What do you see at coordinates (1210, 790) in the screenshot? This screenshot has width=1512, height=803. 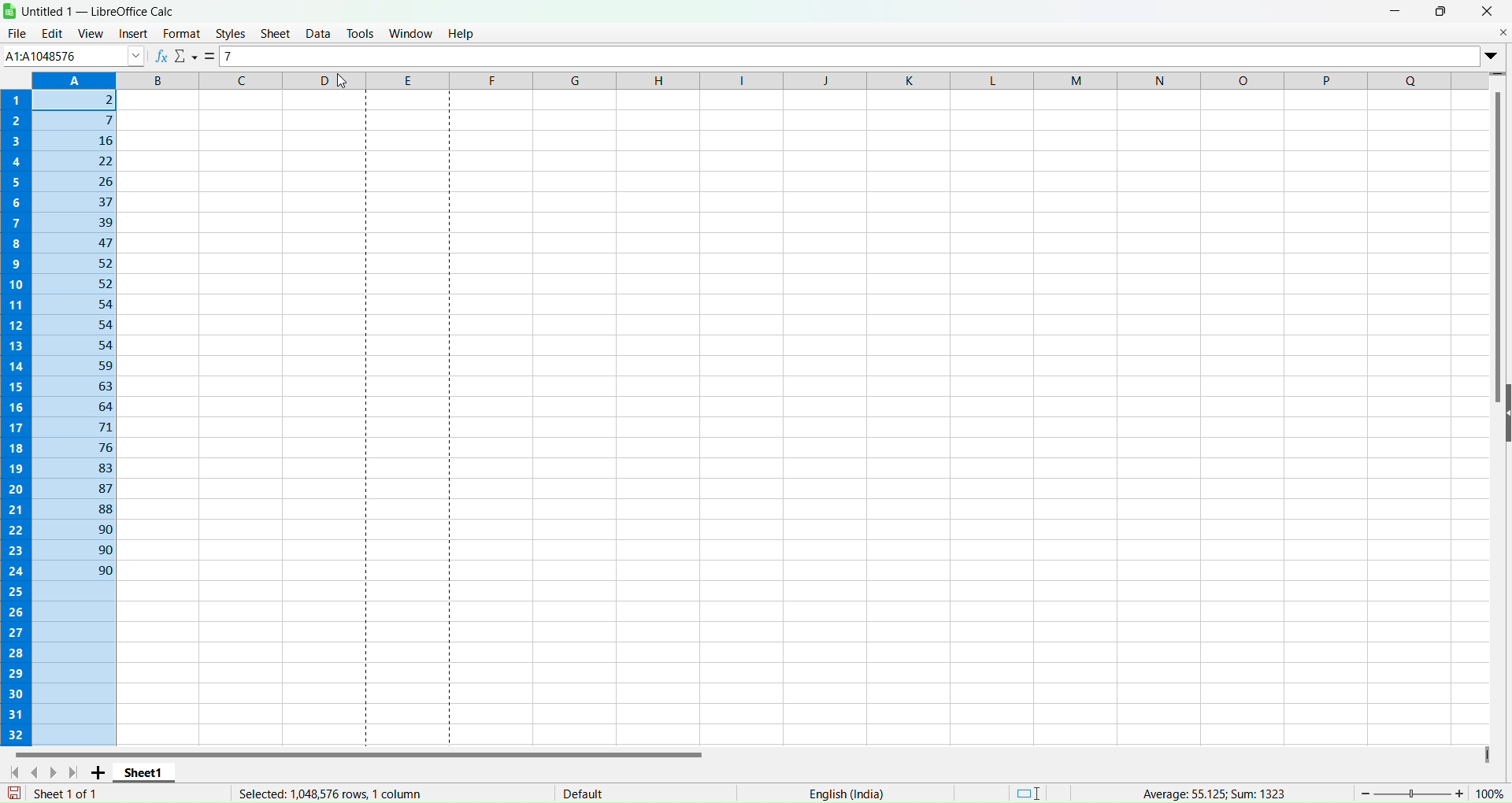 I see `Average and Sum` at bounding box center [1210, 790].